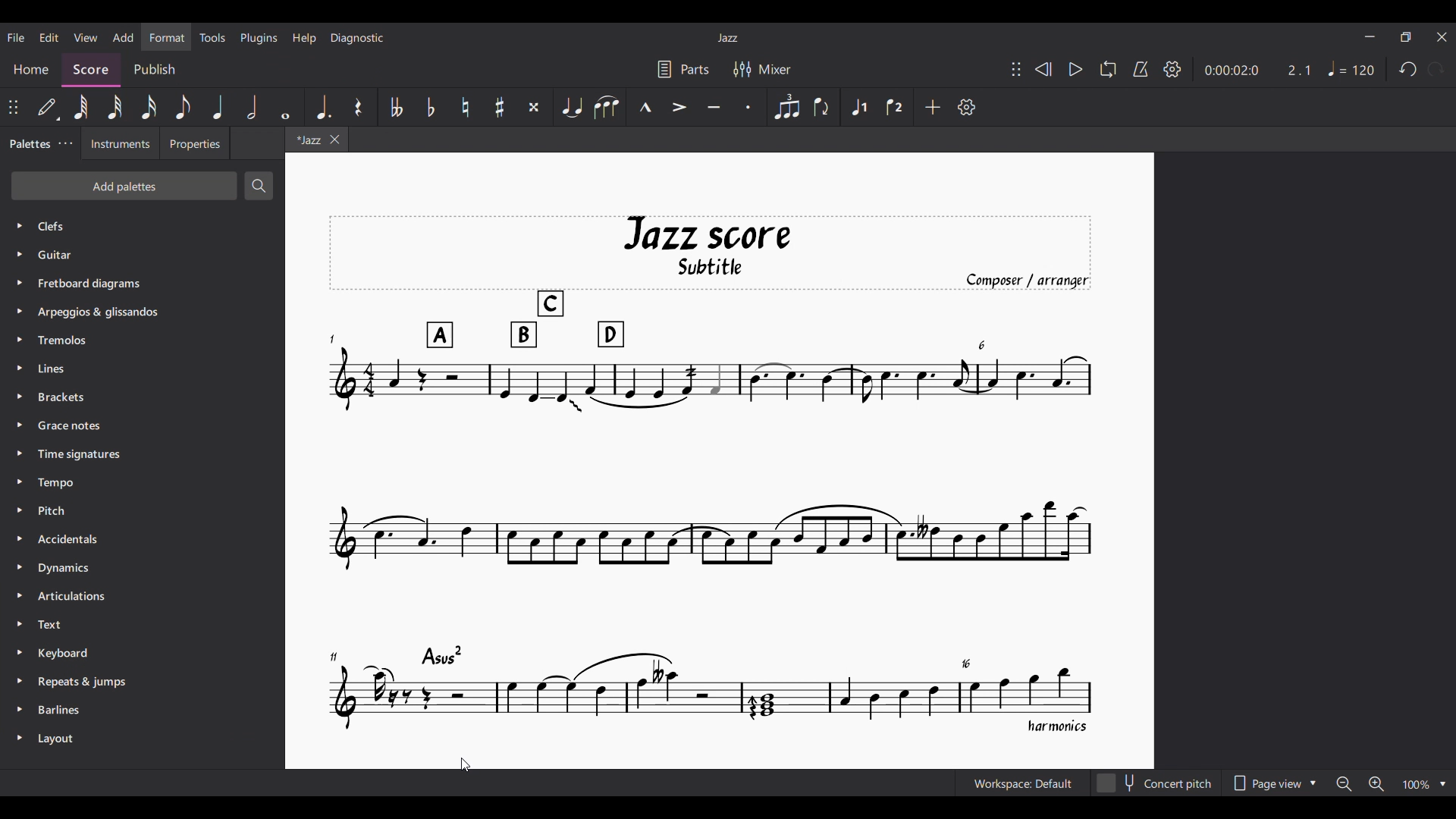  Describe the element at coordinates (1405, 37) in the screenshot. I see `Show in smaller tab` at that location.